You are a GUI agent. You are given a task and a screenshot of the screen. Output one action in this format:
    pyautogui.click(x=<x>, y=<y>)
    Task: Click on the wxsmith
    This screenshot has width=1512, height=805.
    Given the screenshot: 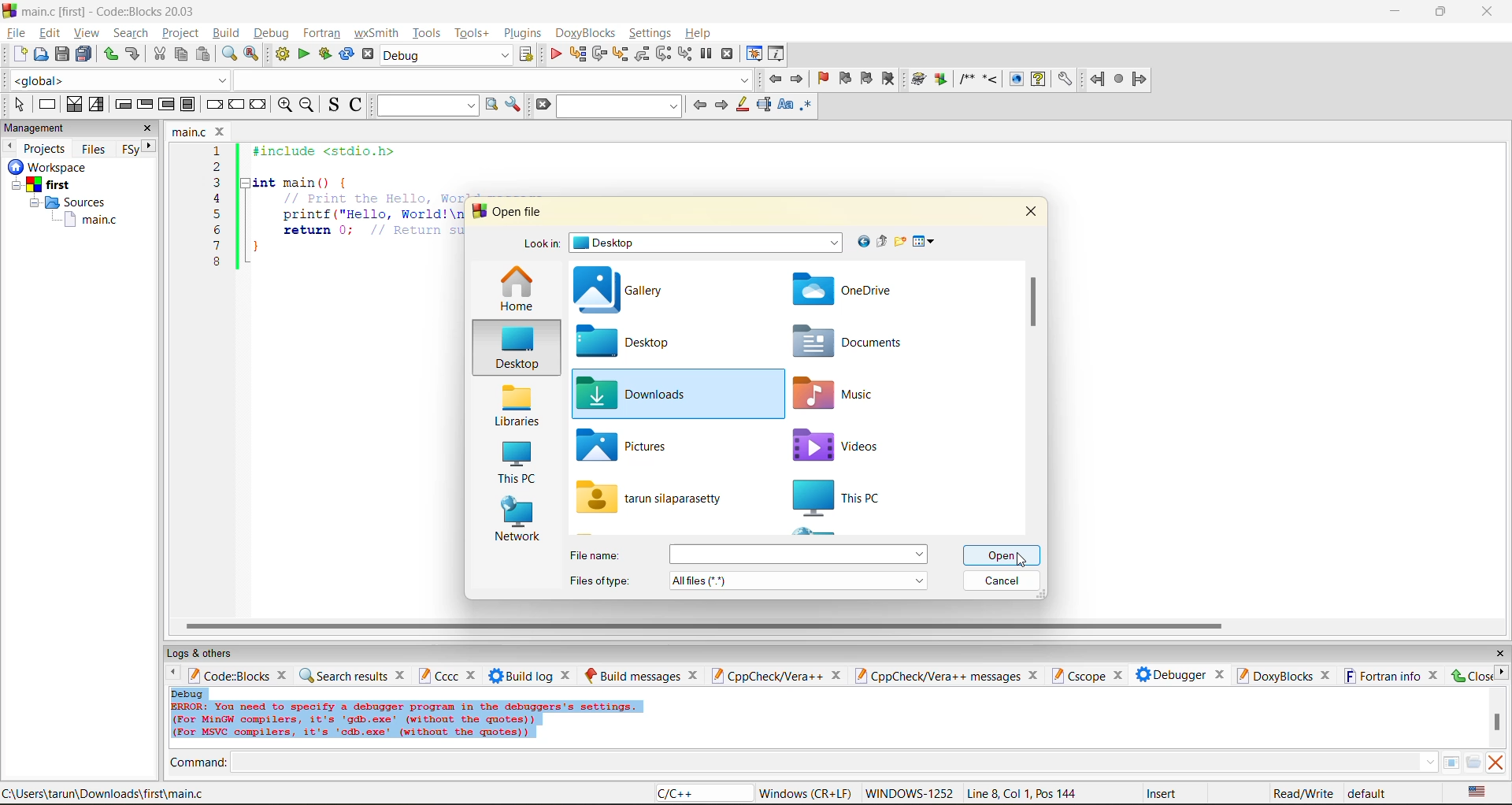 What is the action you would take?
    pyautogui.click(x=377, y=33)
    